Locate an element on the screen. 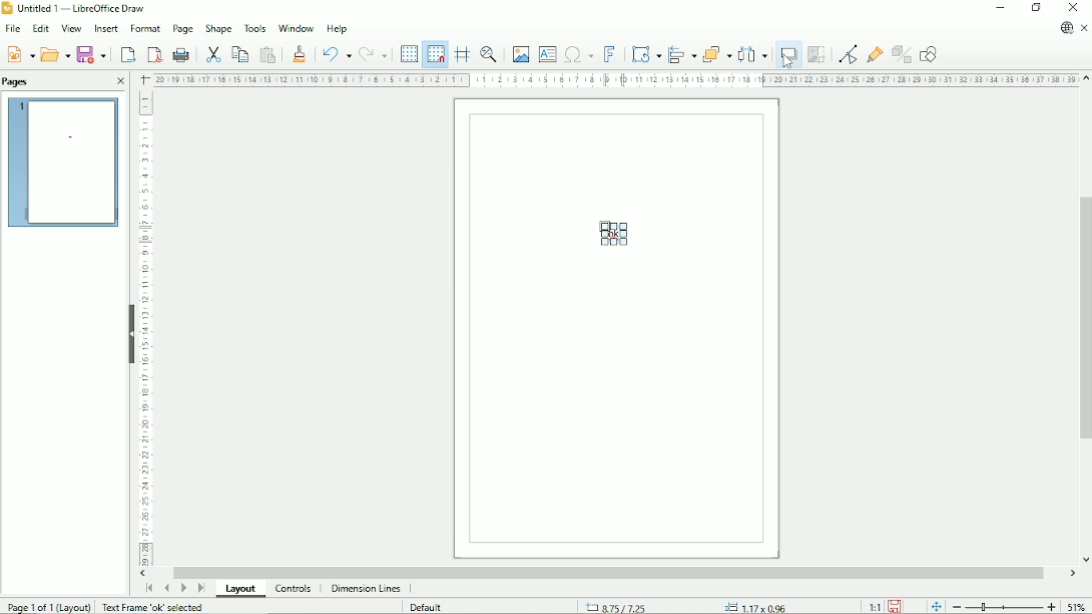 The image size is (1092, 614). Preview is located at coordinates (64, 163).